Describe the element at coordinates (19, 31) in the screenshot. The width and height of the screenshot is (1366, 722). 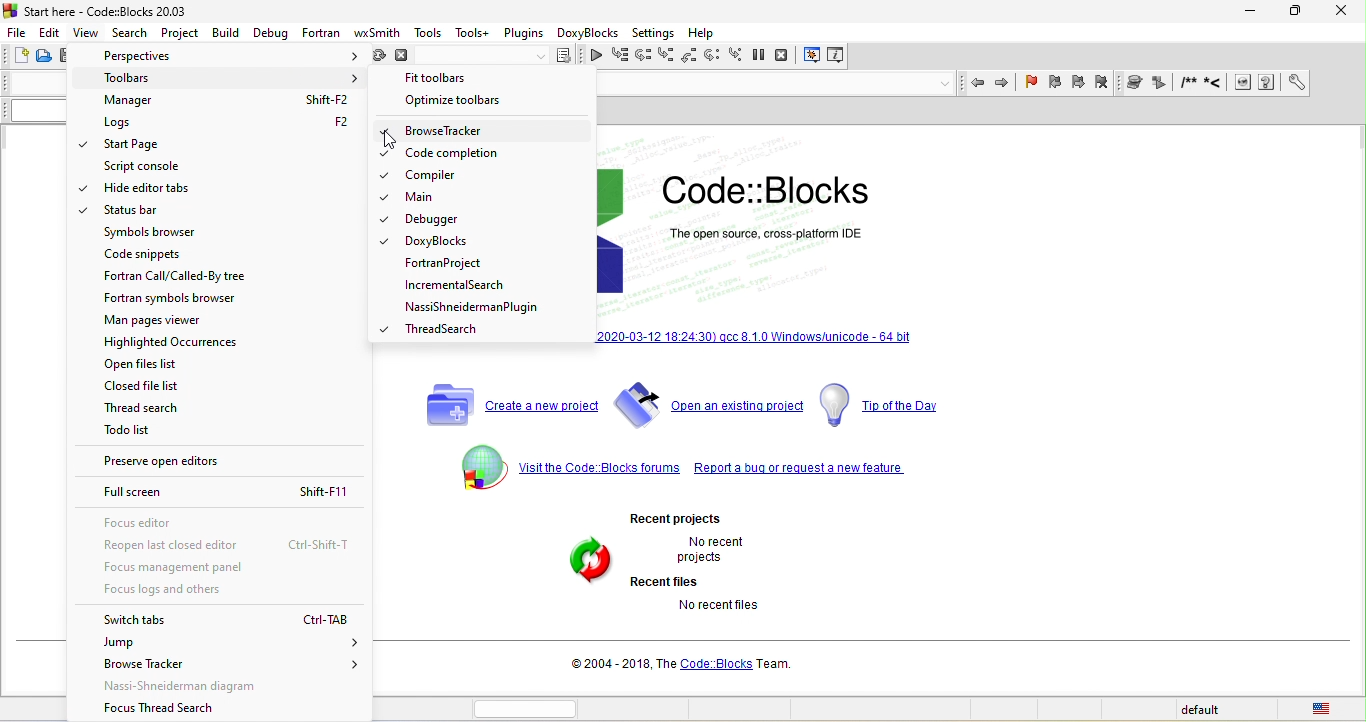
I see `file` at that location.